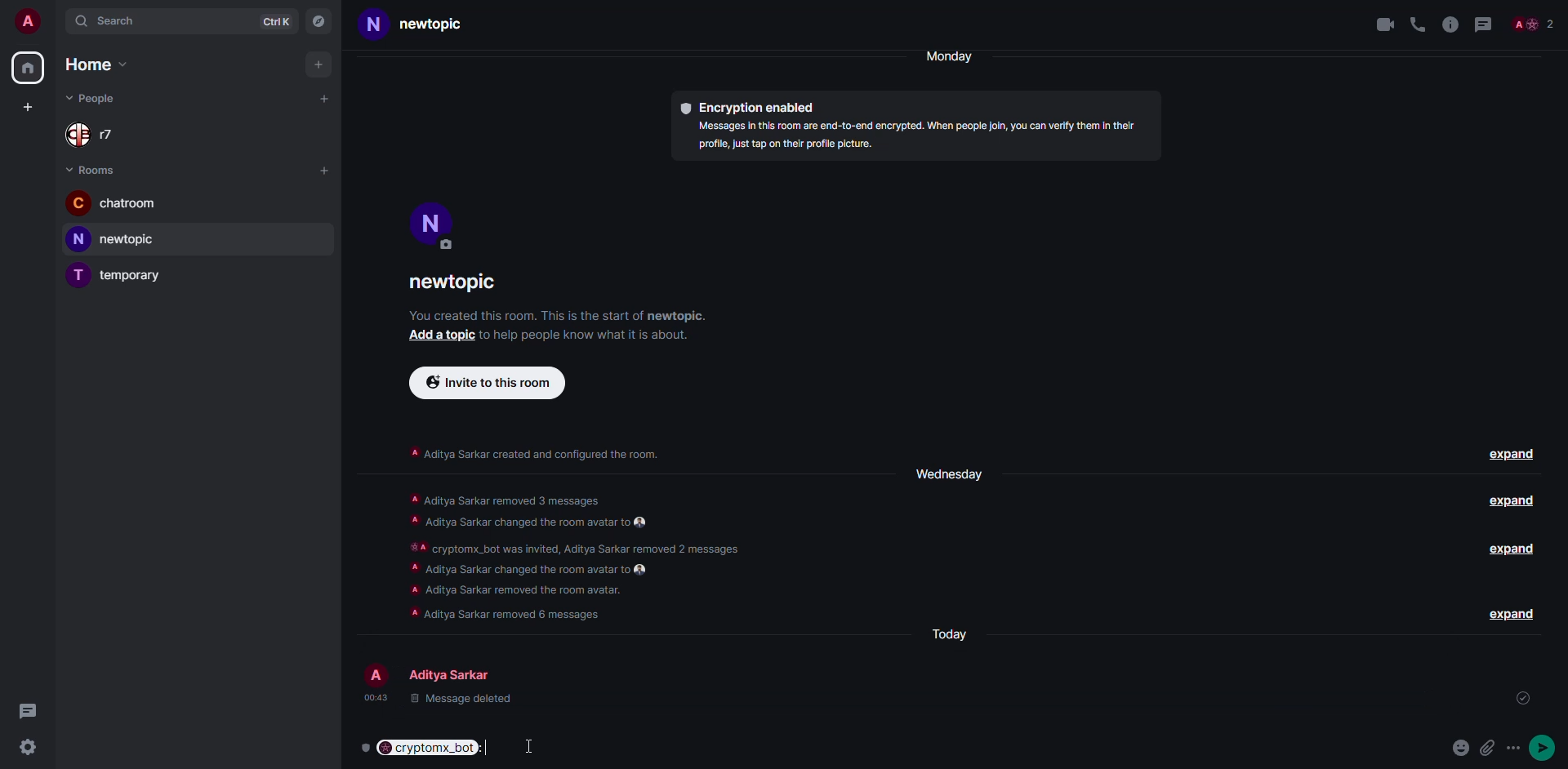 Image resolution: width=1568 pixels, height=769 pixels. Describe the element at coordinates (1523, 698) in the screenshot. I see `sent` at that location.